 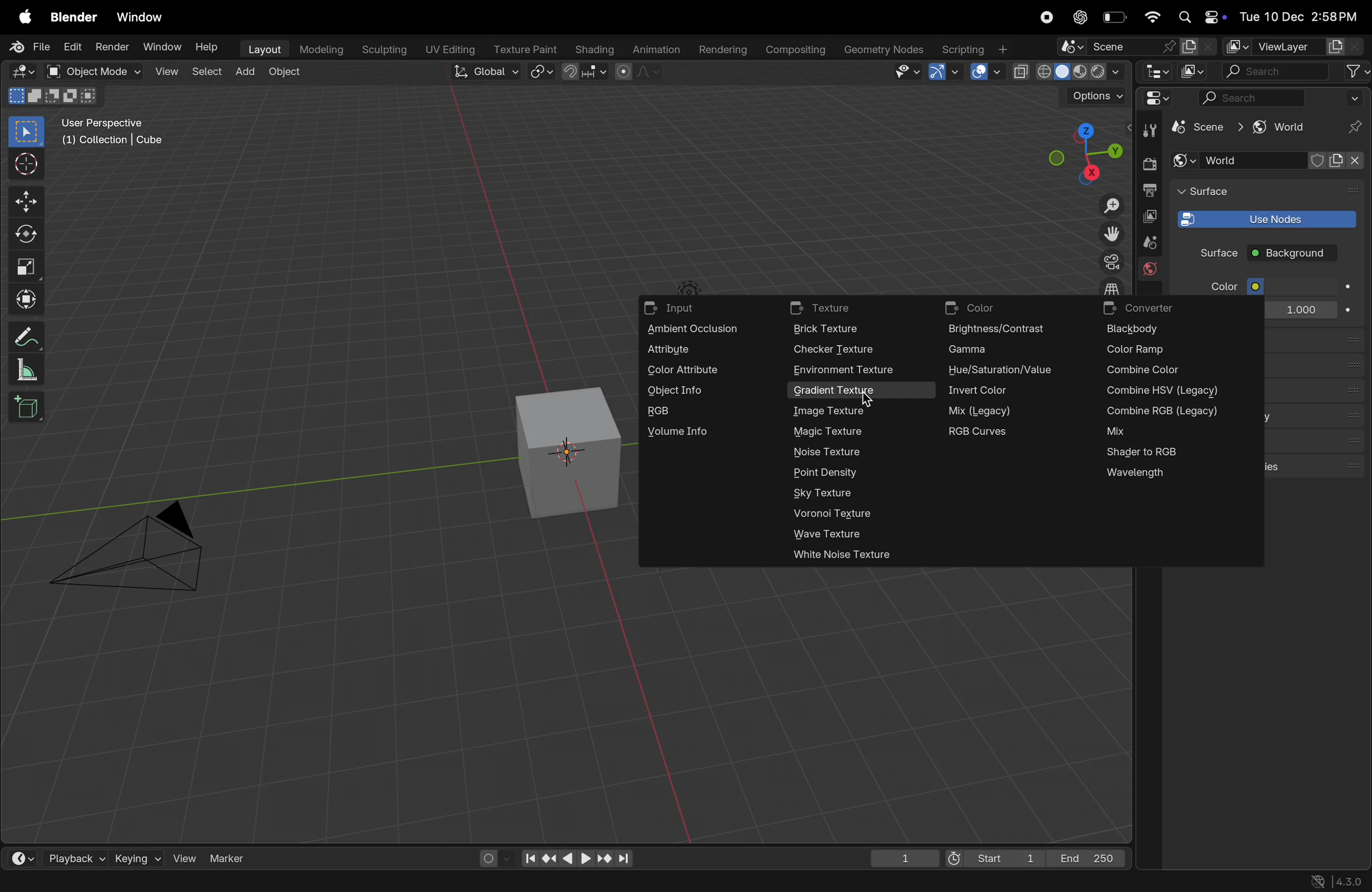 What do you see at coordinates (998, 350) in the screenshot?
I see `Gamma` at bounding box center [998, 350].